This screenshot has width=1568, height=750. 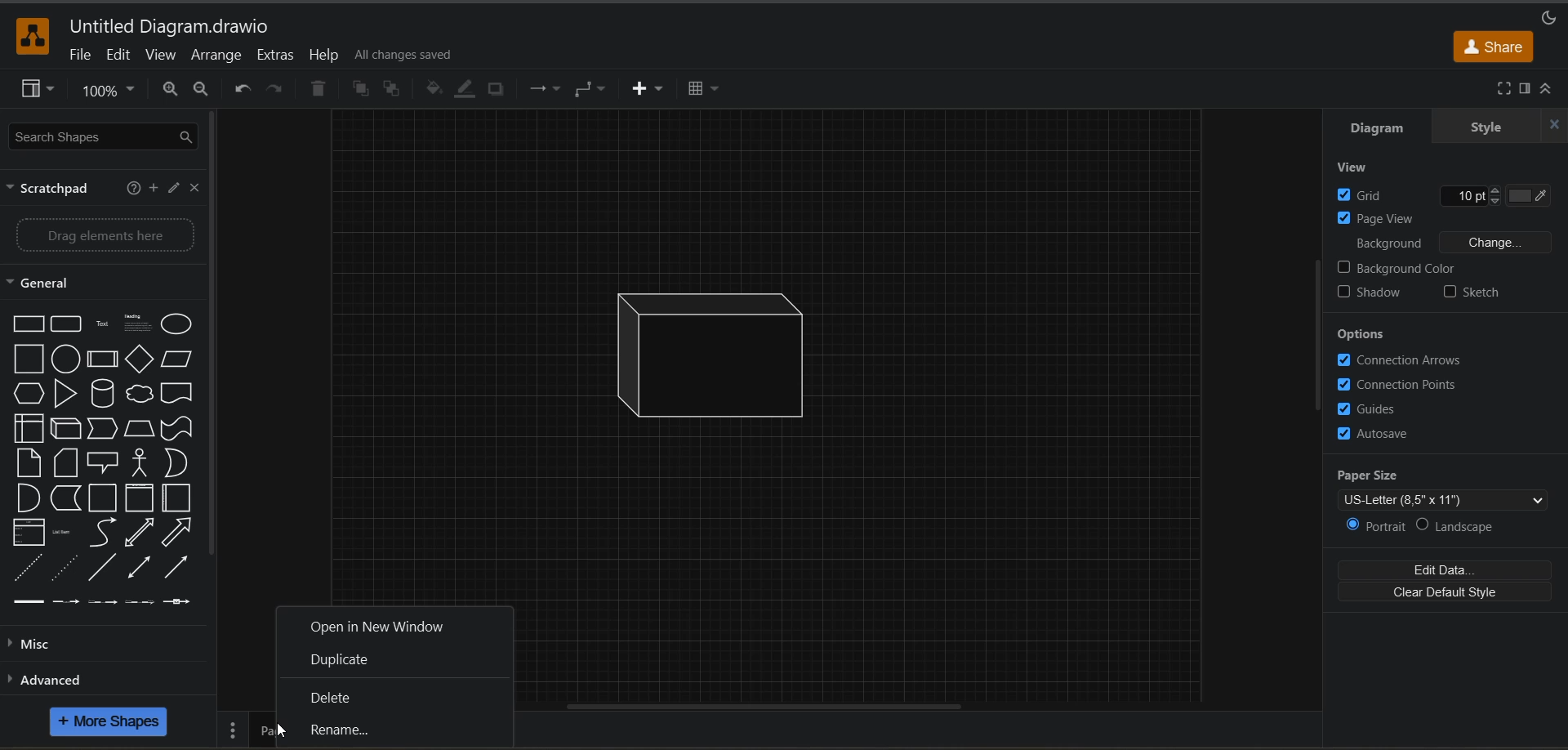 What do you see at coordinates (326, 57) in the screenshot?
I see `help` at bounding box center [326, 57].